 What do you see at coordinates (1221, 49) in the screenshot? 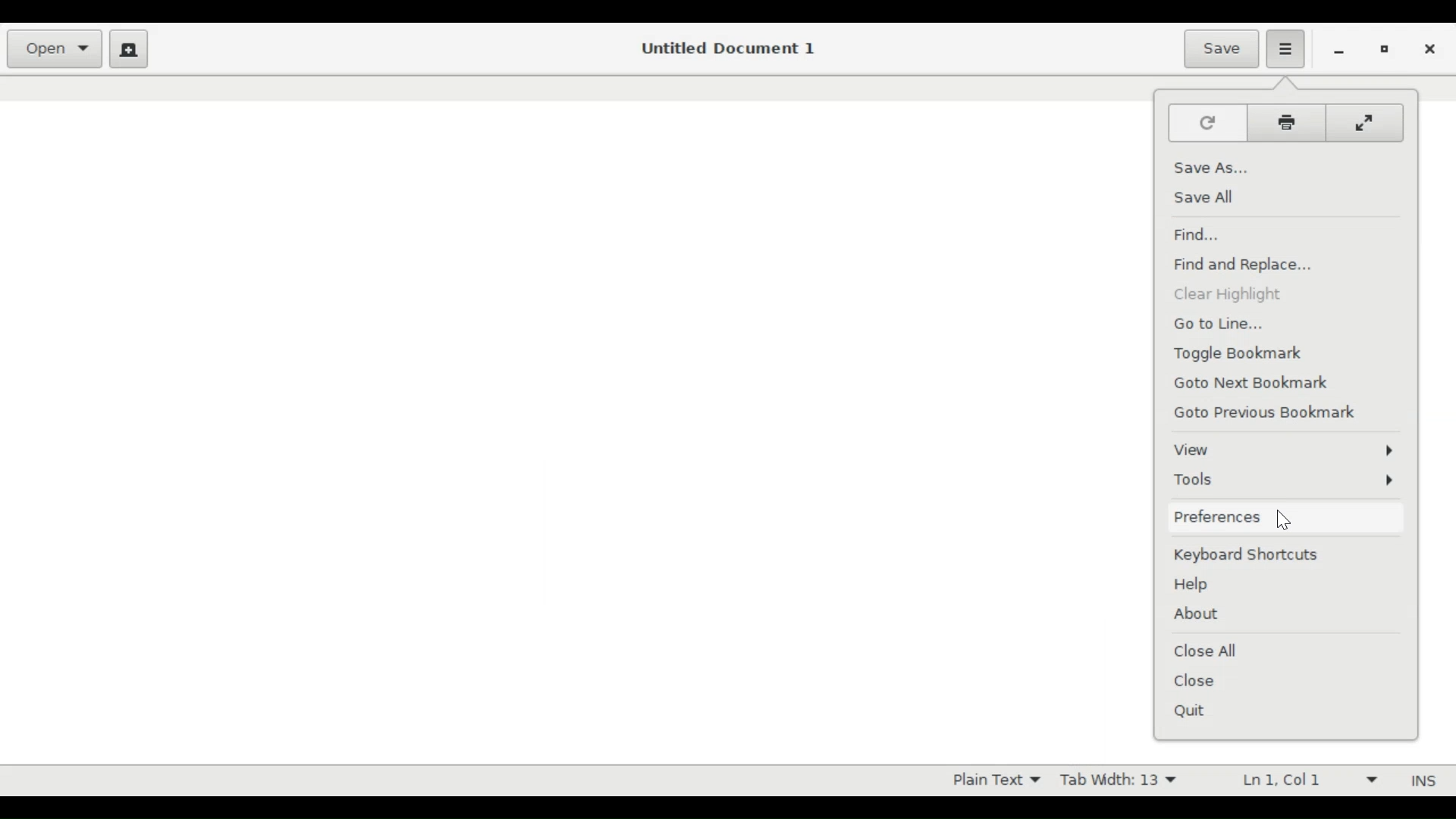
I see `Save` at bounding box center [1221, 49].